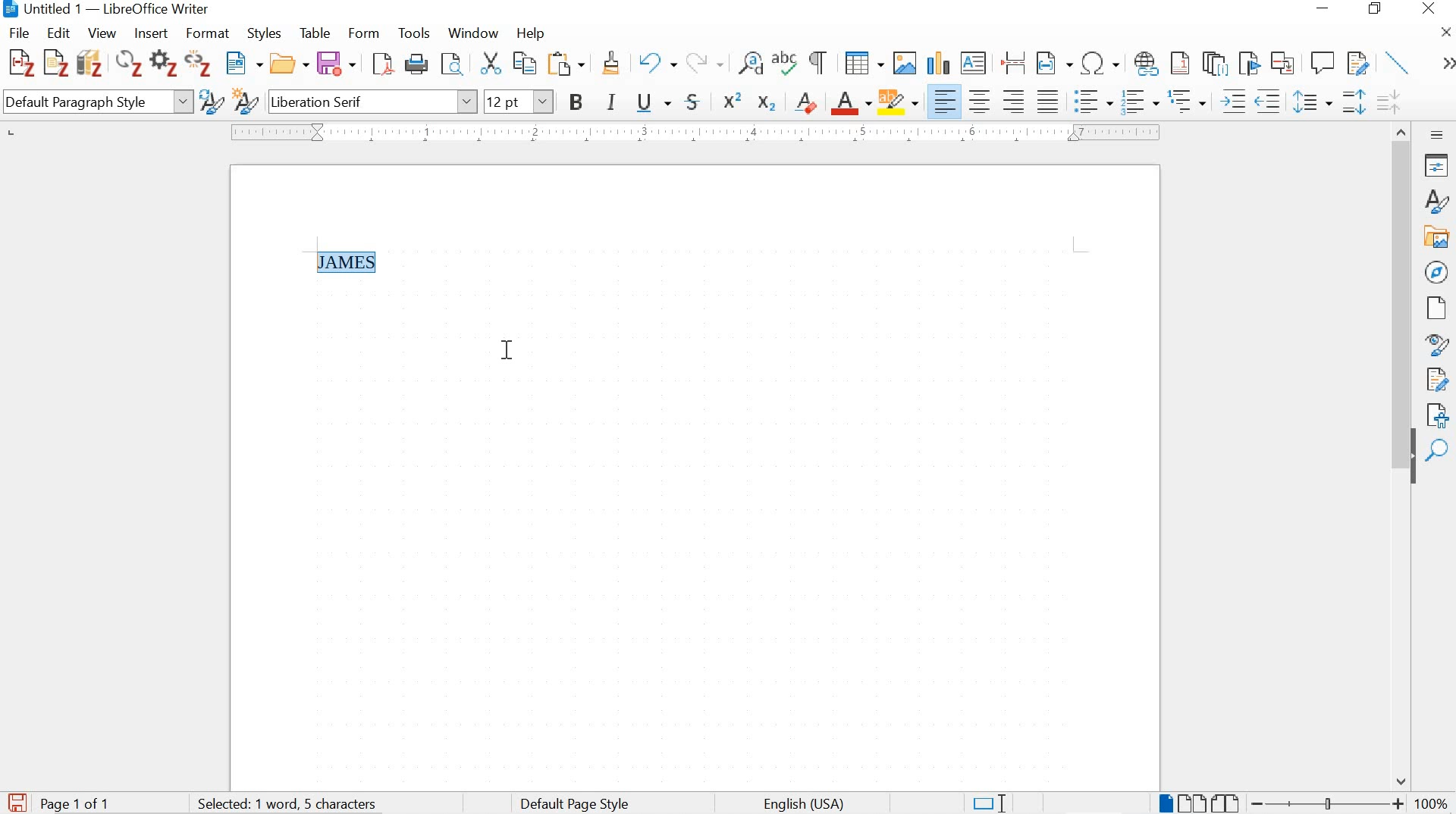 This screenshot has height=814, width=1456. I want to click on insert field, so click(1054, 64).